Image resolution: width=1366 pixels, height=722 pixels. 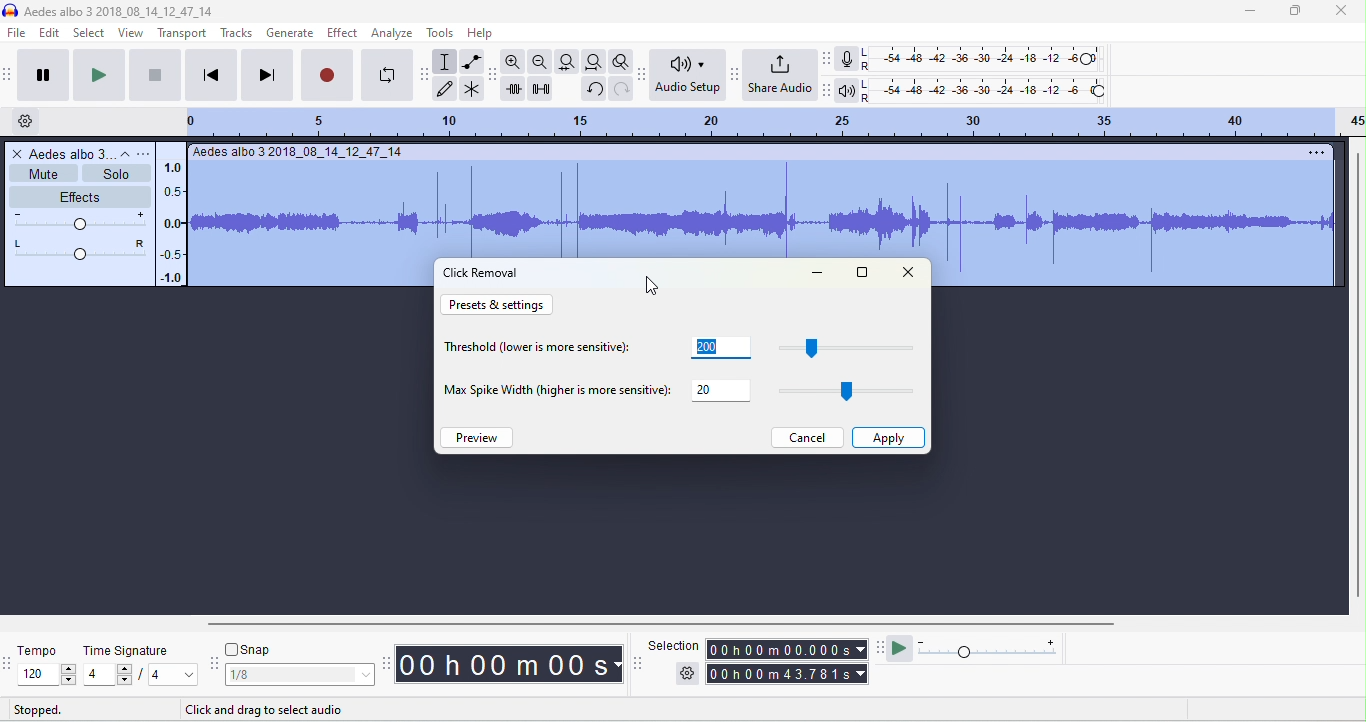 What do you see at coordinates (215, 663) in the screenshot?
I see `audacity snapping toolbar` at bounding box center [215, 663].